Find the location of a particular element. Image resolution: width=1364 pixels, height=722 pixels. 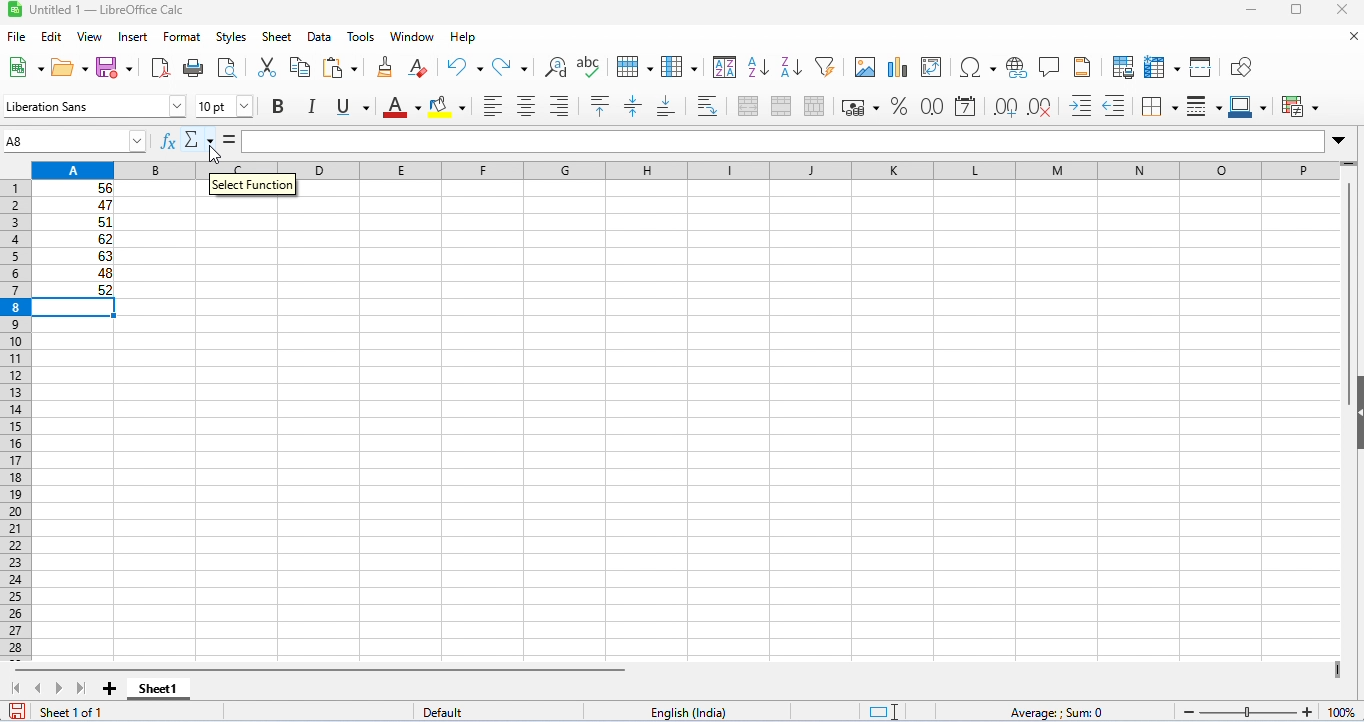

drag to view rows is located at coordinates (1348, 166).